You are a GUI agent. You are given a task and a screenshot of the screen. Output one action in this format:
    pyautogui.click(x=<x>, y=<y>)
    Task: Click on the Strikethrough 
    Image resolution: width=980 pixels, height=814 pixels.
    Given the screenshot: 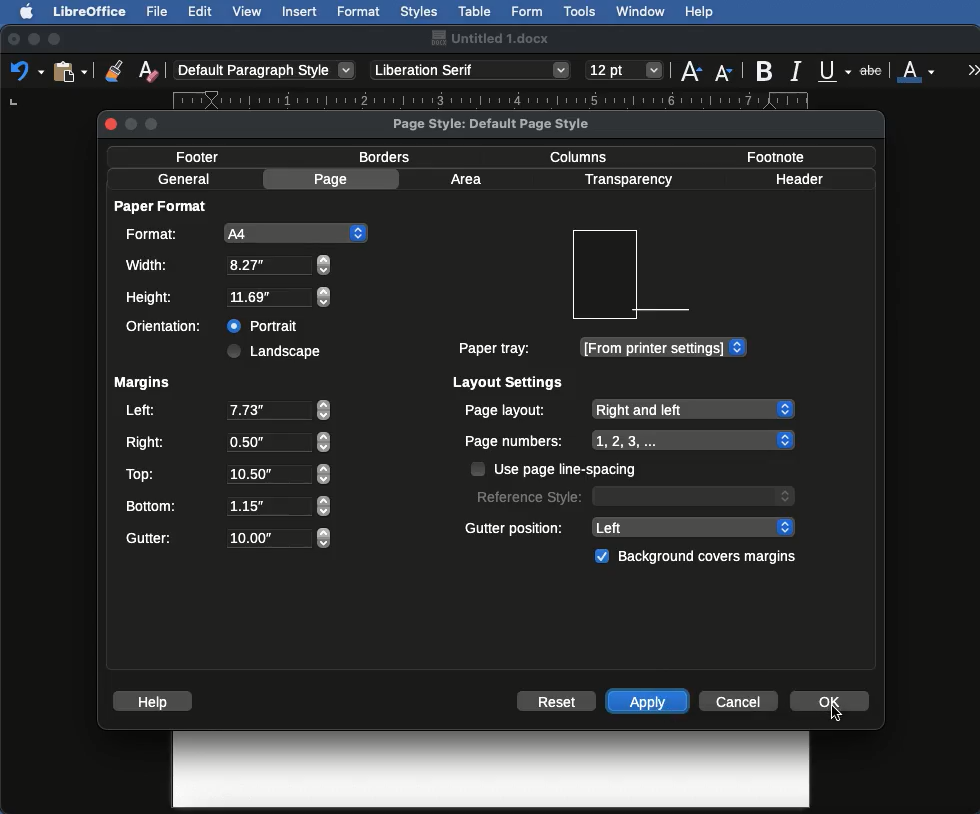 What is the action you would take?
    pyautogui.click(x=873, y=69)
    